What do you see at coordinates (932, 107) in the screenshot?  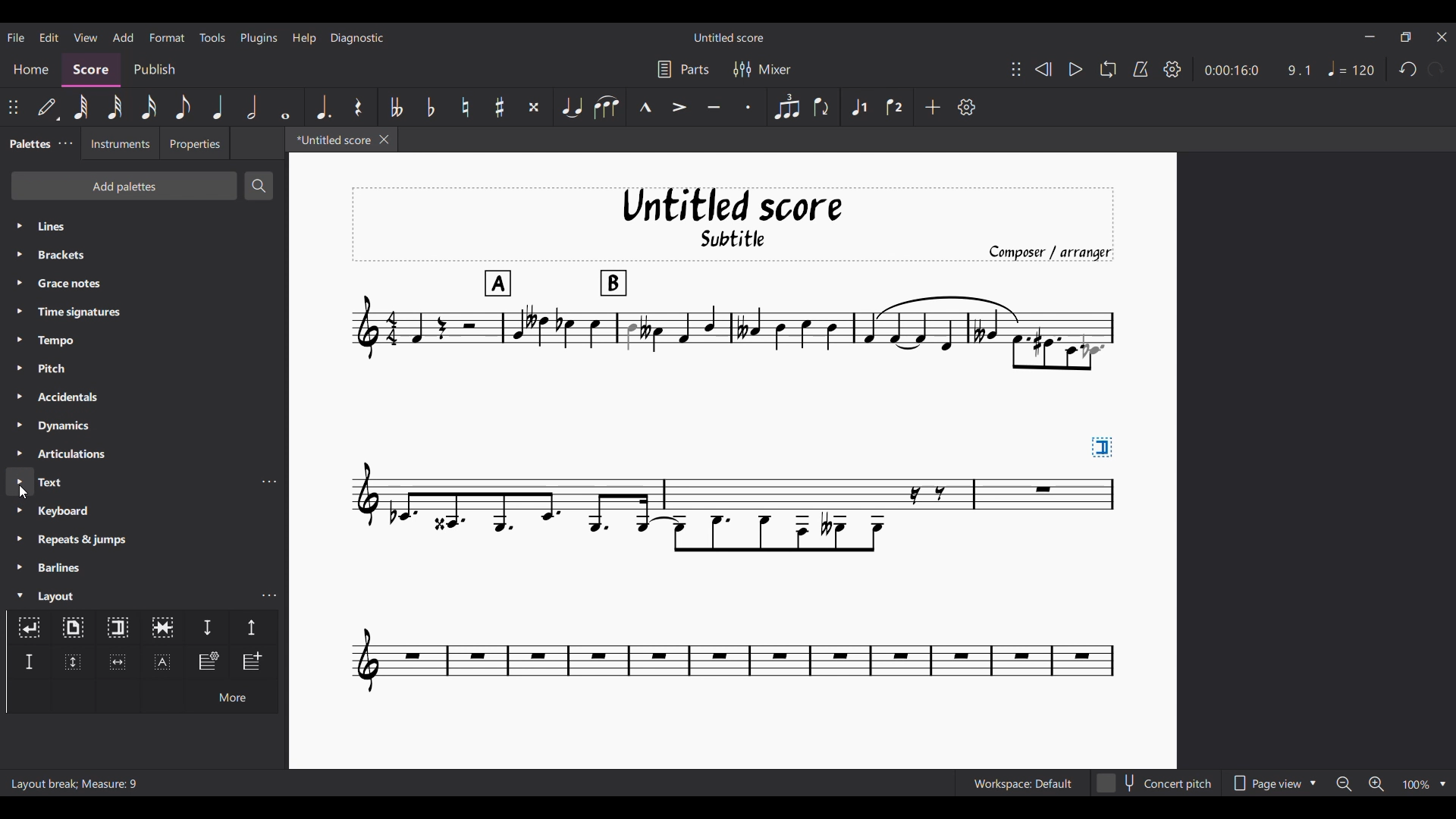 I see `Add` at bounding box center [932, 107].